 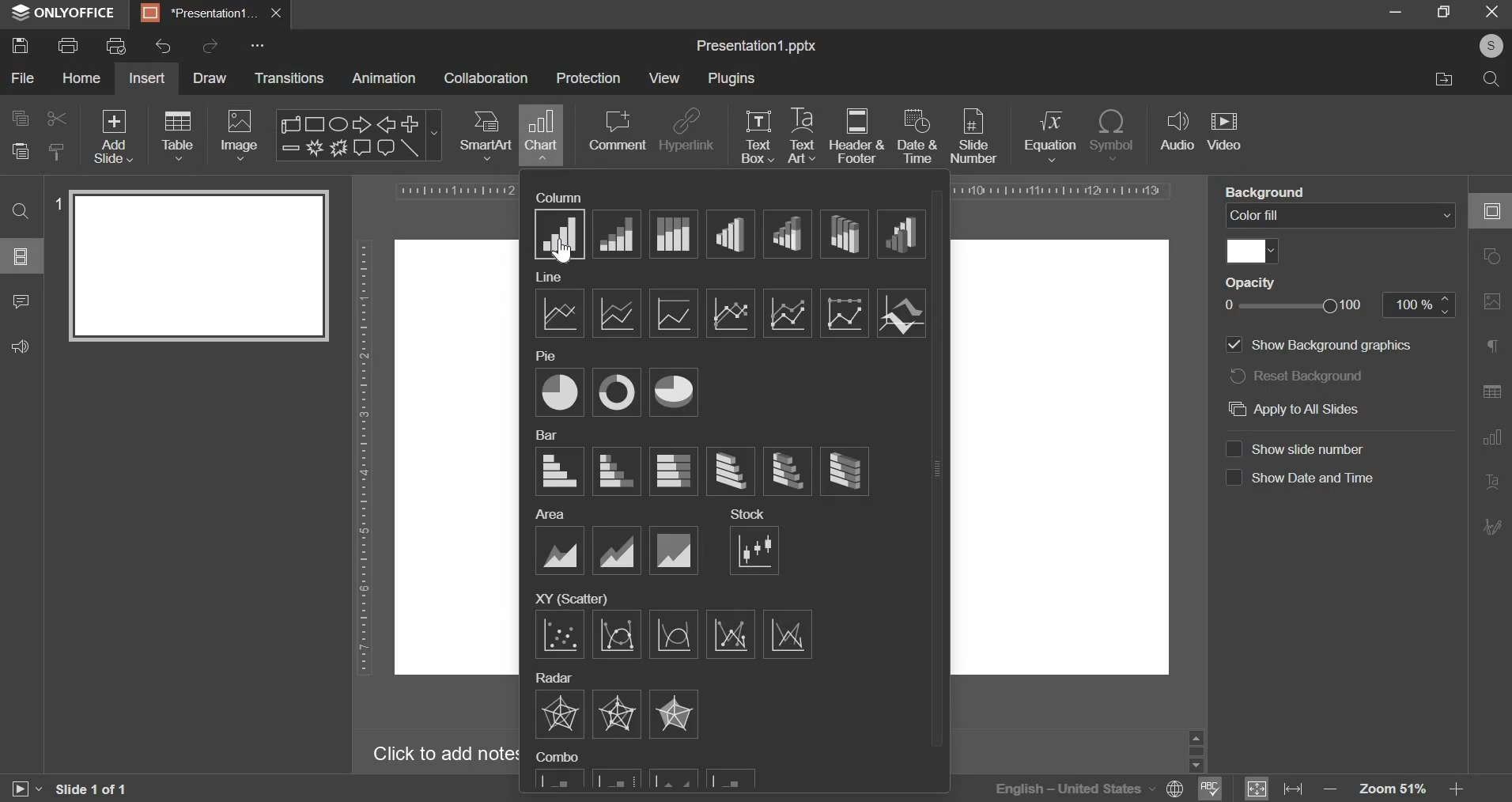 What do you see at coordinates (1495, 257) in the screenshot?
I see `shape settings` at bounding box center [1495, 257].